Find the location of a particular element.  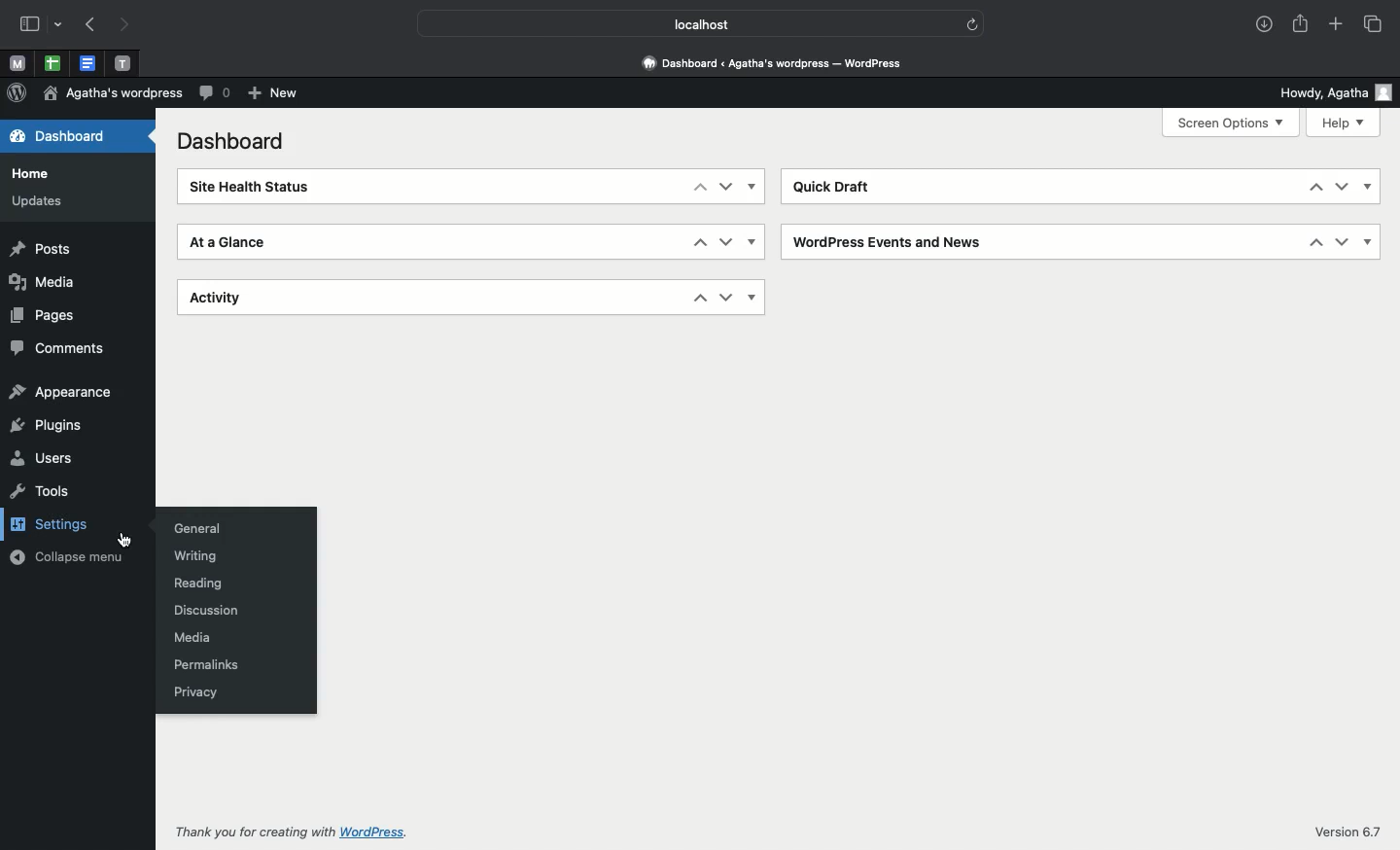

Down is located at coordinates (1342, 242).